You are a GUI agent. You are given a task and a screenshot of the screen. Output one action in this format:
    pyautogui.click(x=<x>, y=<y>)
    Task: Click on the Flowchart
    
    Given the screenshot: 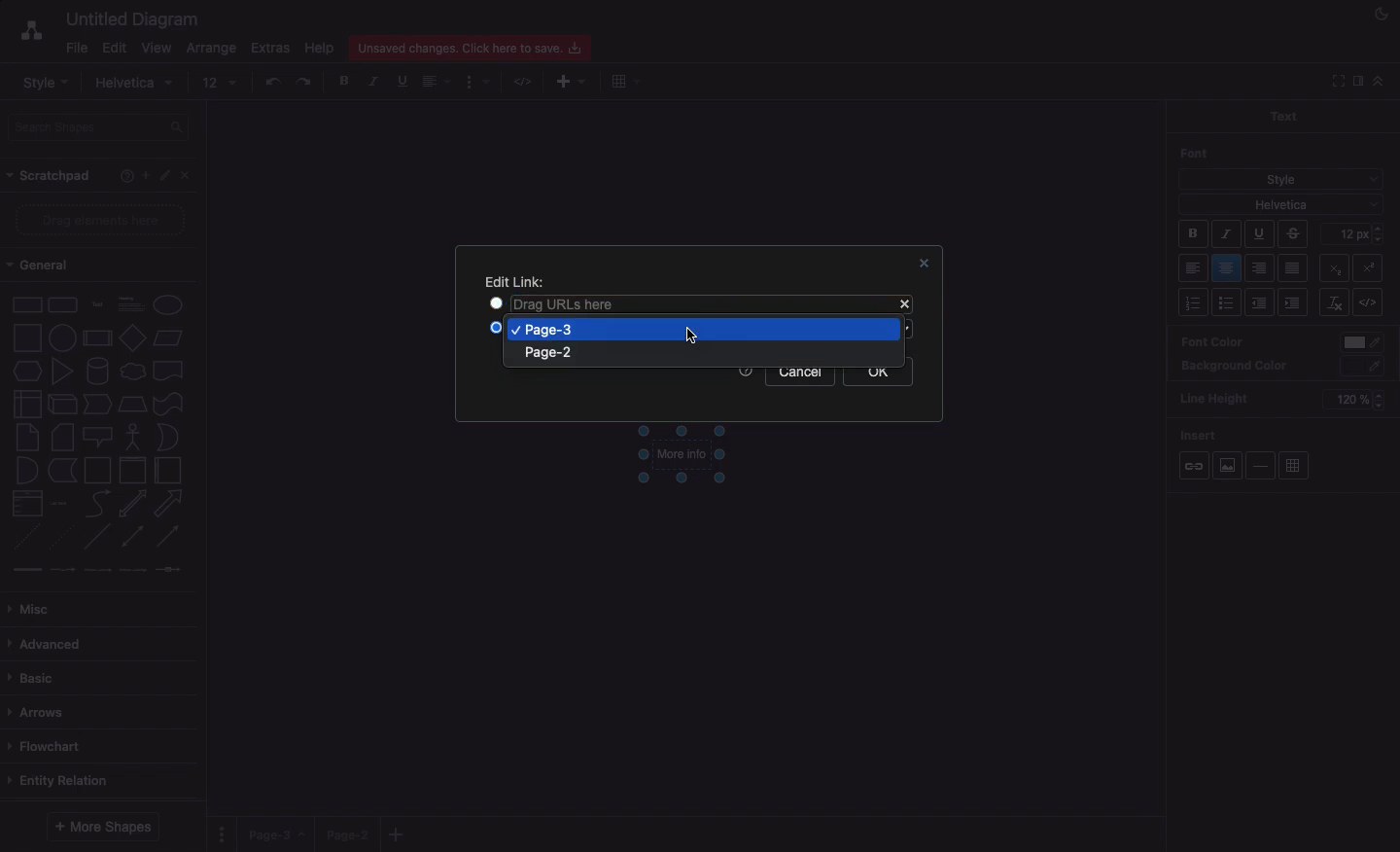 What is the action you would take?
    pyautogui.click(x=53, y=747)
    